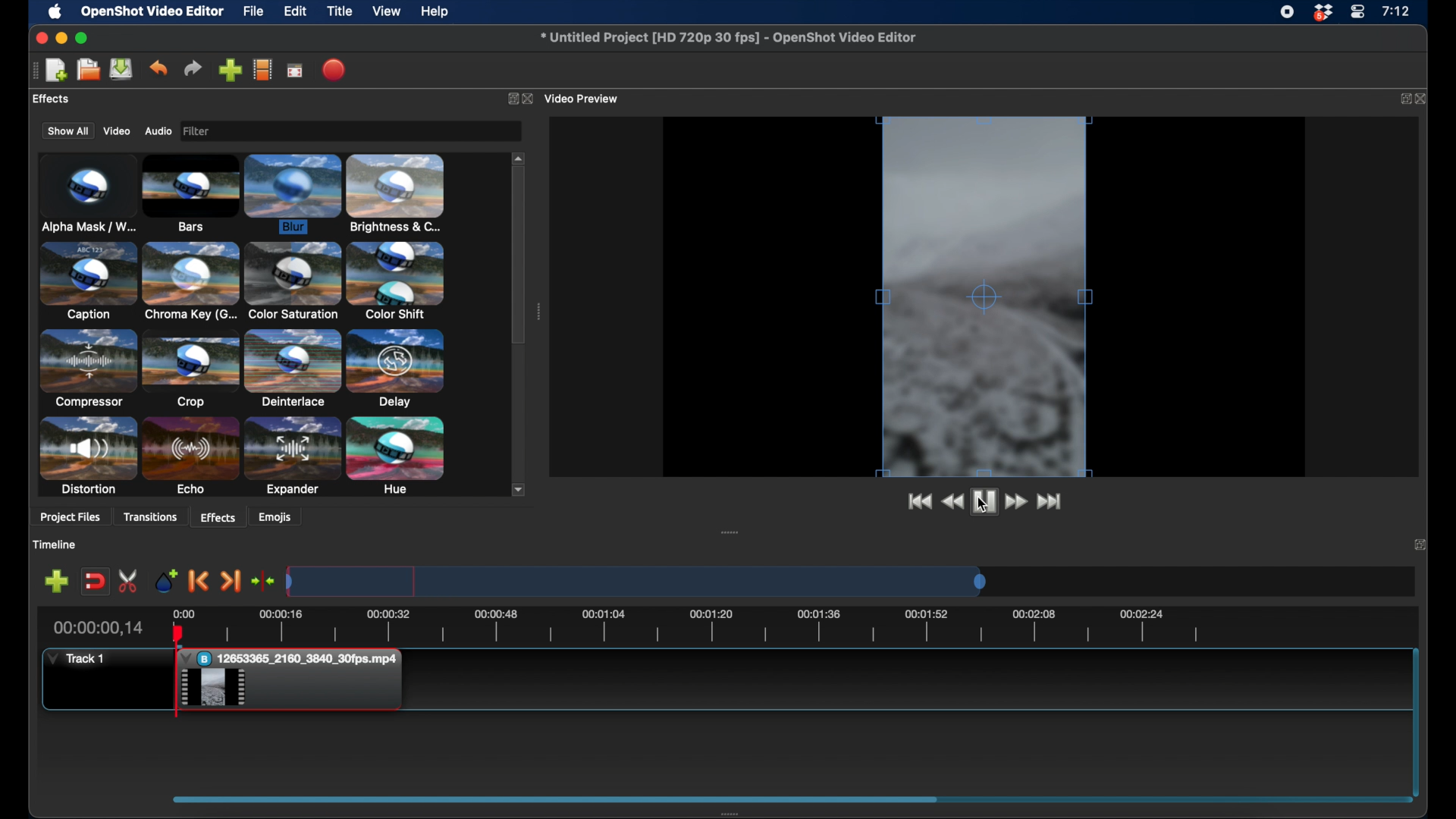  What do you see at coordinates (396, 457) in the screenshot?
I see `hue` at bounding box center [396, 457].